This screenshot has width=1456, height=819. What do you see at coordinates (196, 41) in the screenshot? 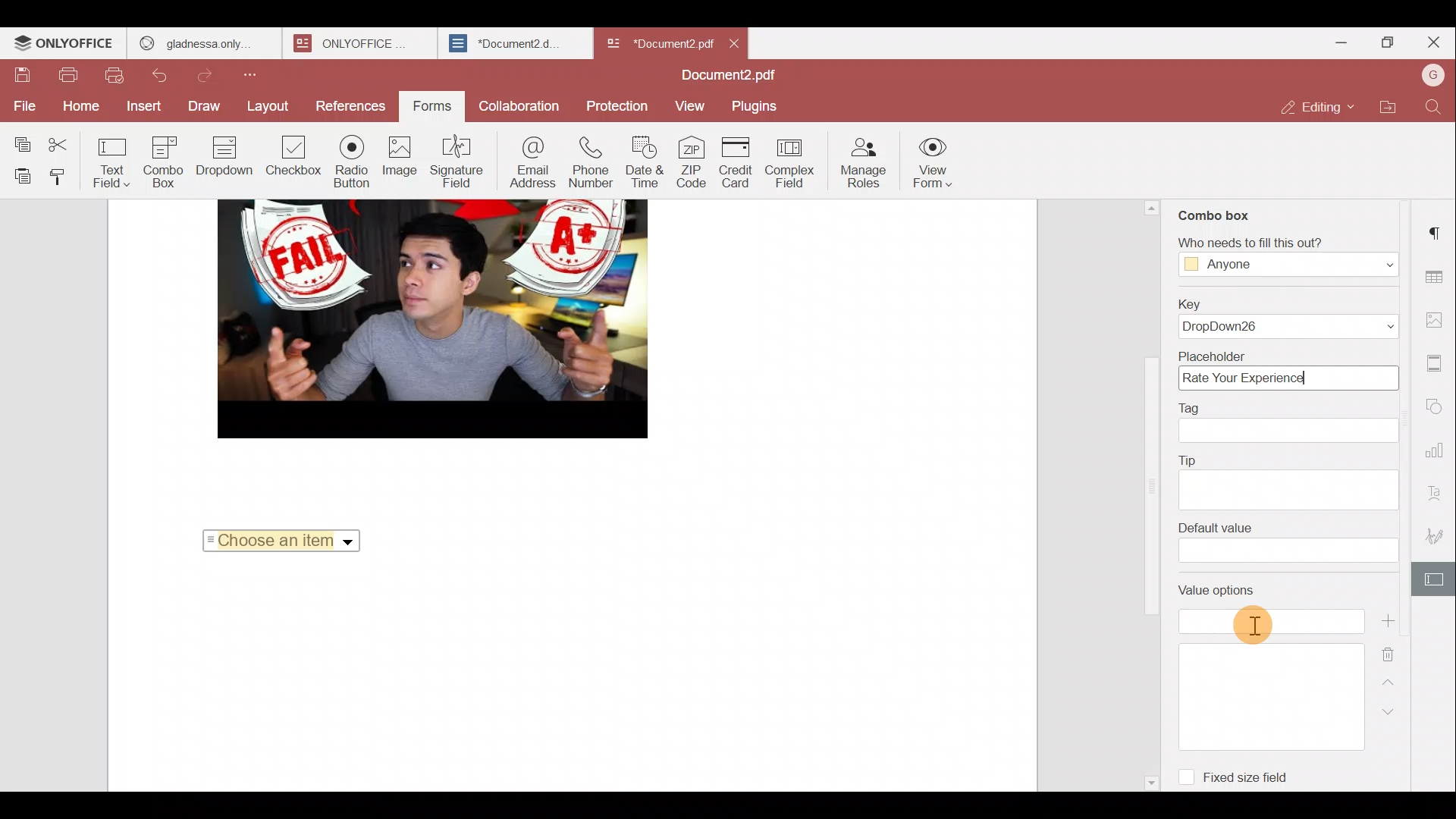
I see `gladnessa only.` at bounding box center [196, 41].